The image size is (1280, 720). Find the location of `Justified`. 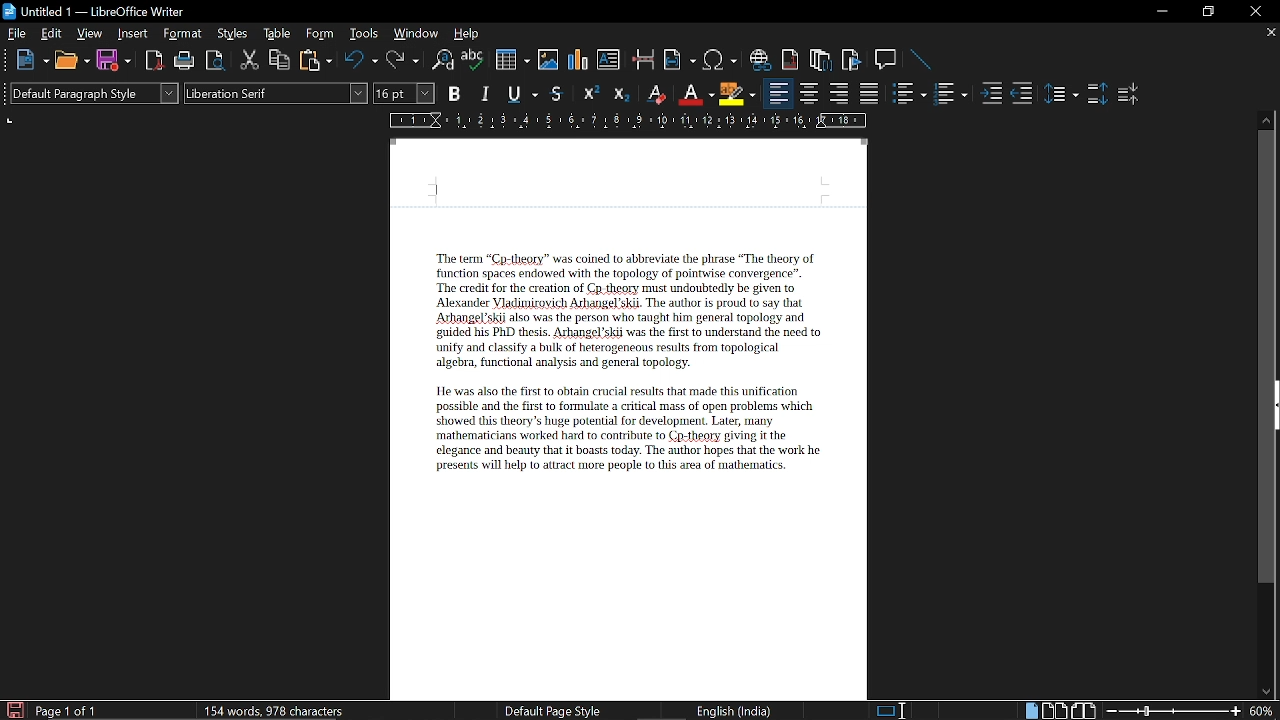

Justified is located at coordinates (870, 94).